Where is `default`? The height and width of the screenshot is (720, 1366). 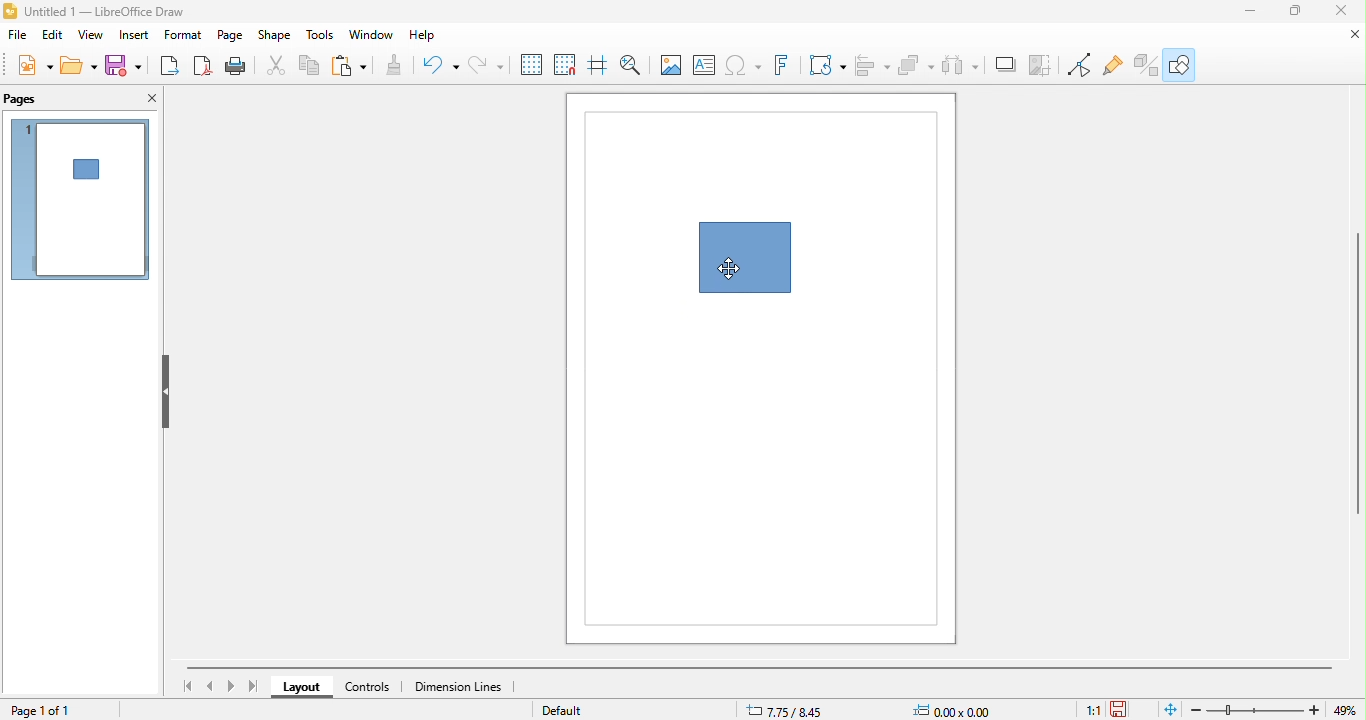
default is located at coordinates (575, 709).